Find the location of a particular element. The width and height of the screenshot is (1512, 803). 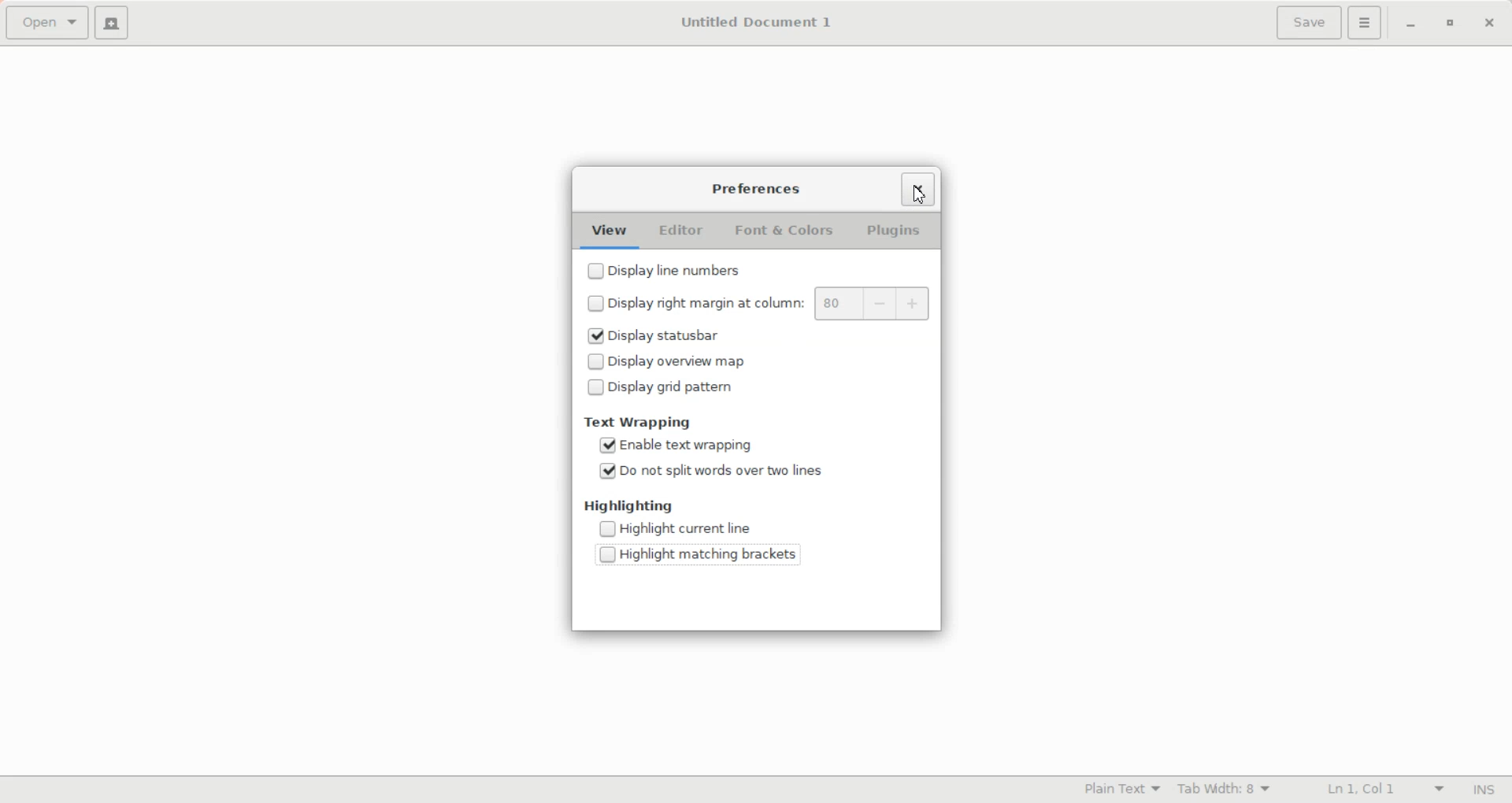

(un)check Disable Display overview map is located at coordinates (721, 360).